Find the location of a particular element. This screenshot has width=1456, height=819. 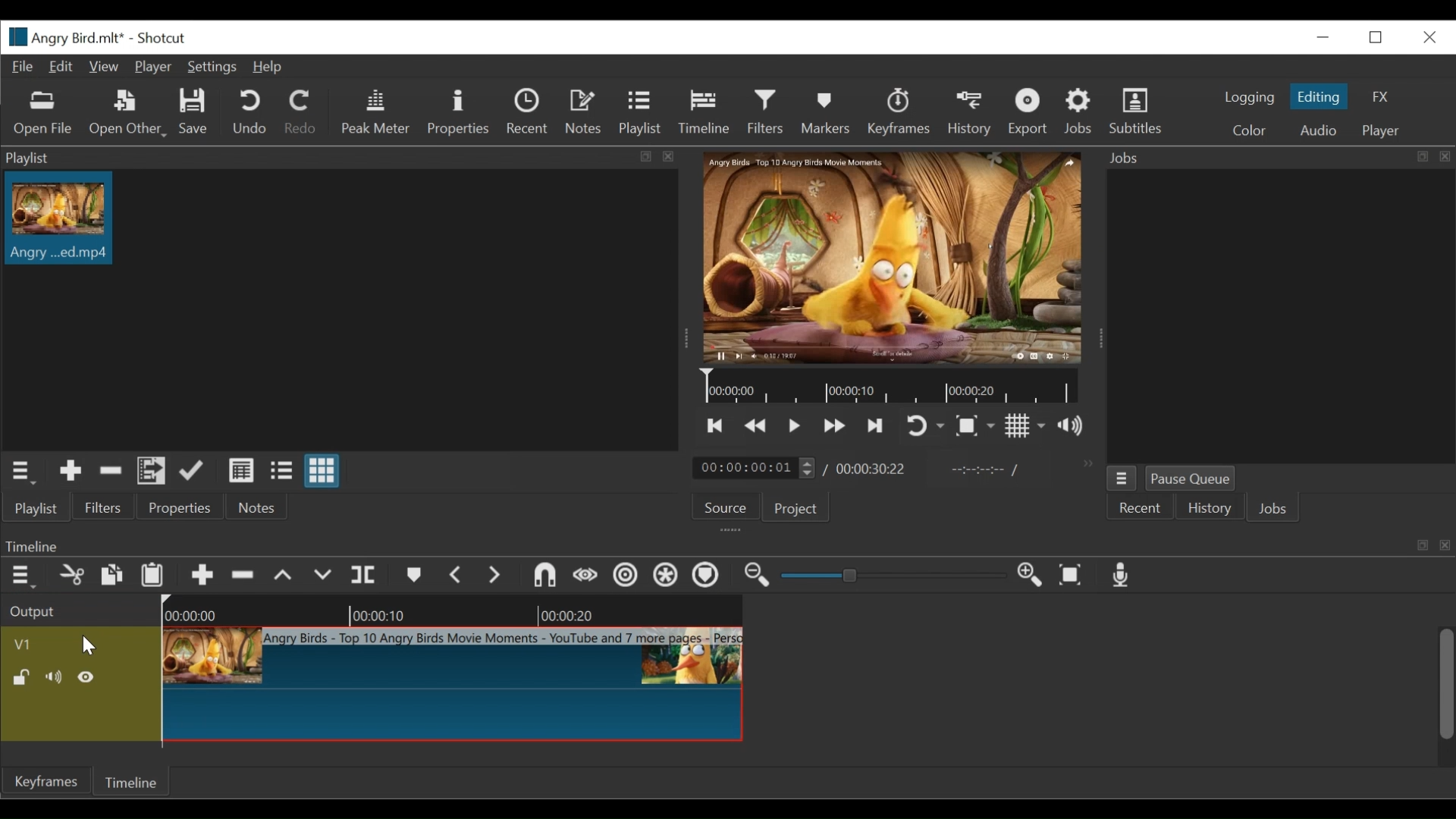

Append is located at coordinates (203, 576).